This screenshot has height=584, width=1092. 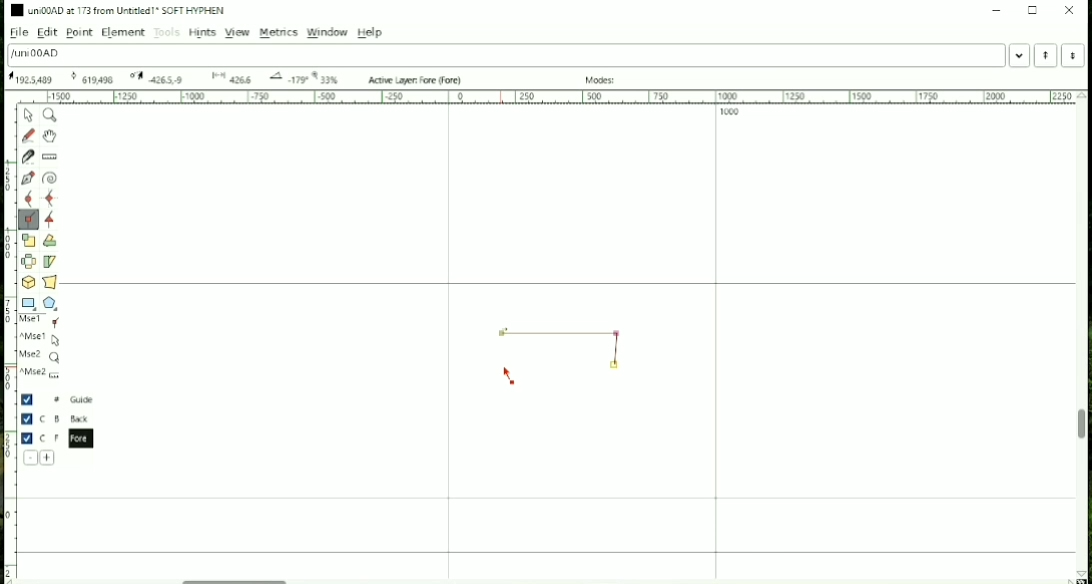 What do you see at coordinates (995, 10) in the screenshot?
I see `Minimize` at bounding box center [995, 10].